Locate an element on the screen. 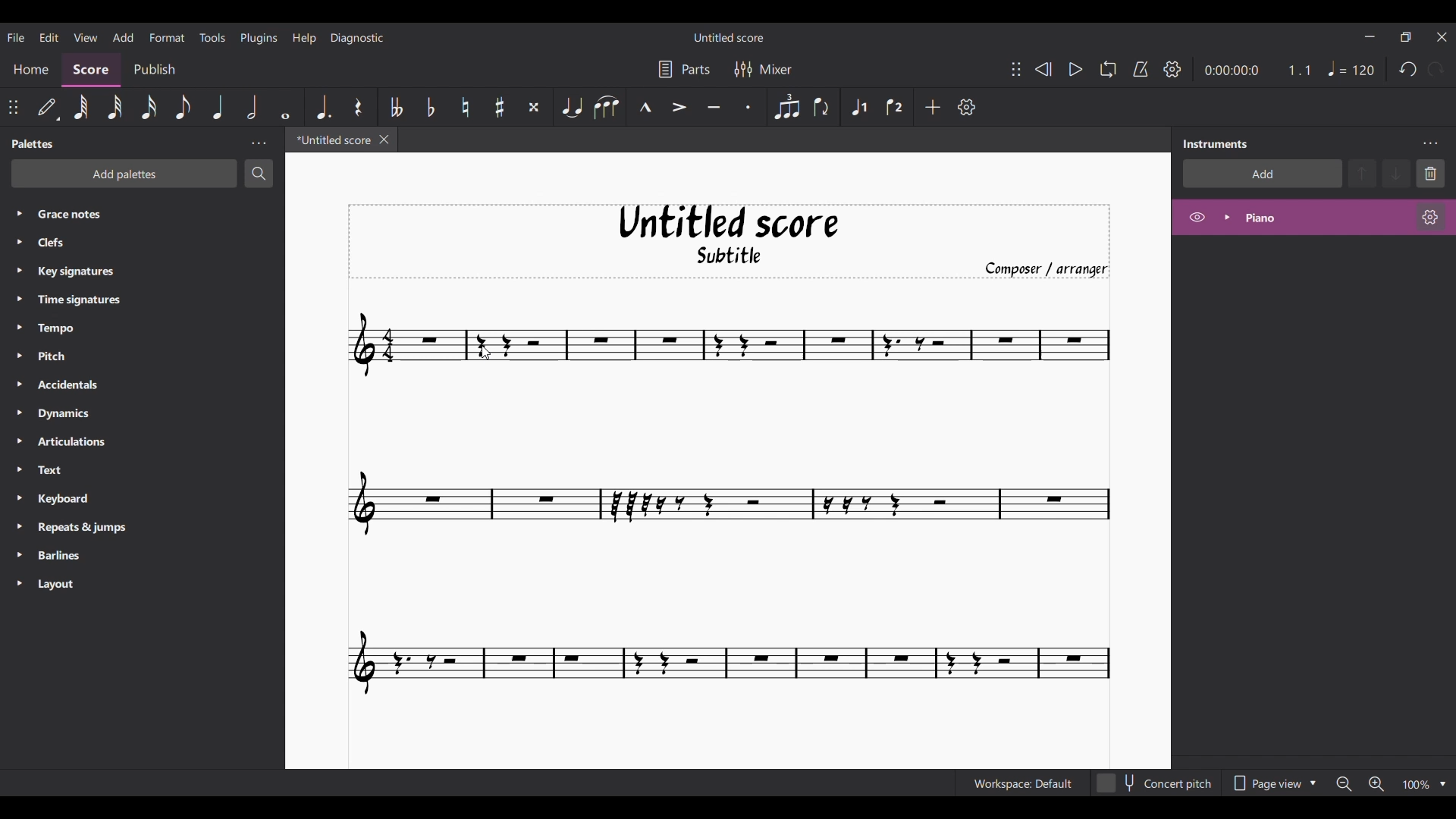 This screenshot has width=1456, height=819. Parts is located at coordinates (683, 69).